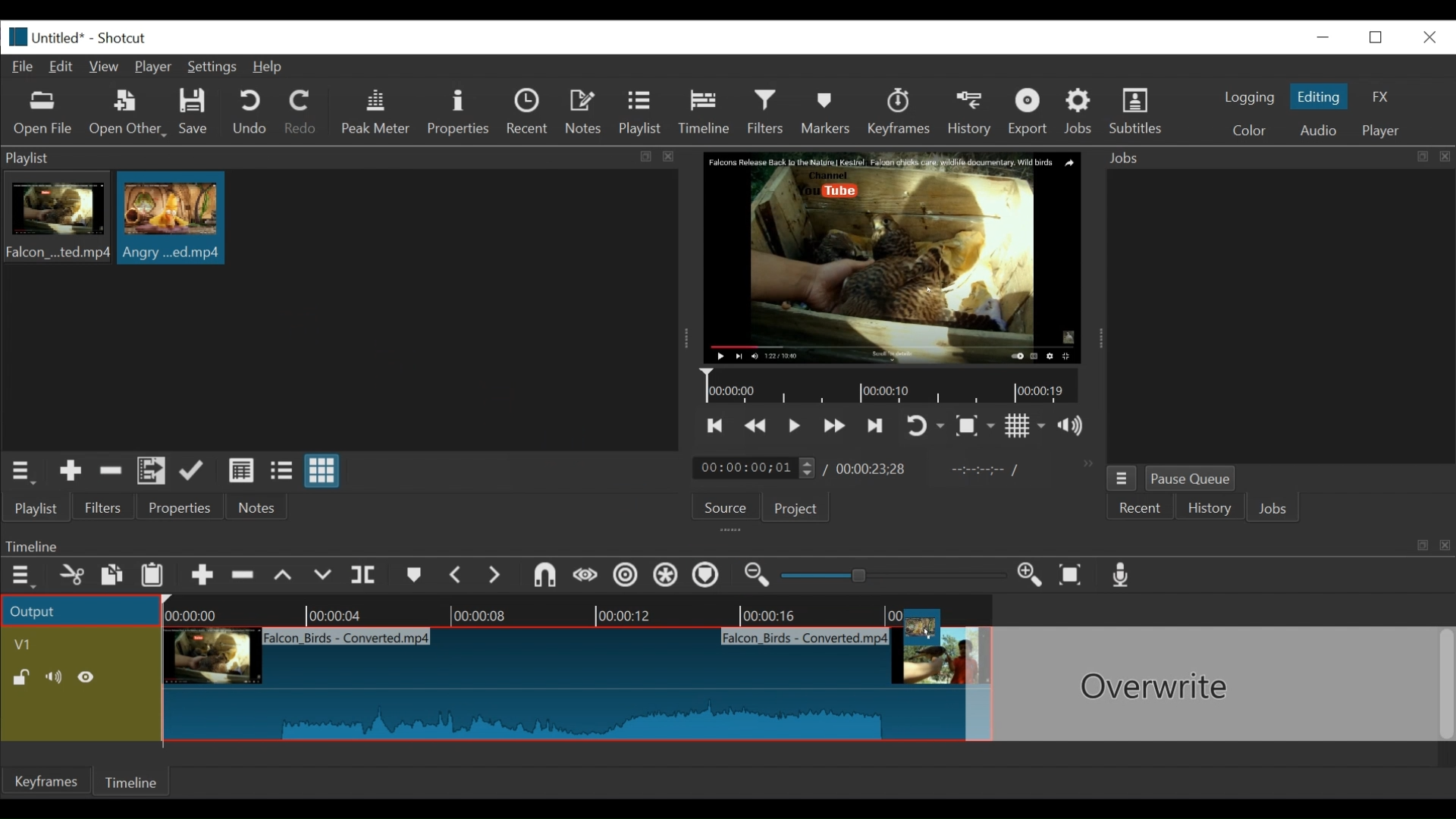  What do you see at coordinates (709, 577) in the screenshot?
I see `Ripple markers` at bounding box center [709, 577].